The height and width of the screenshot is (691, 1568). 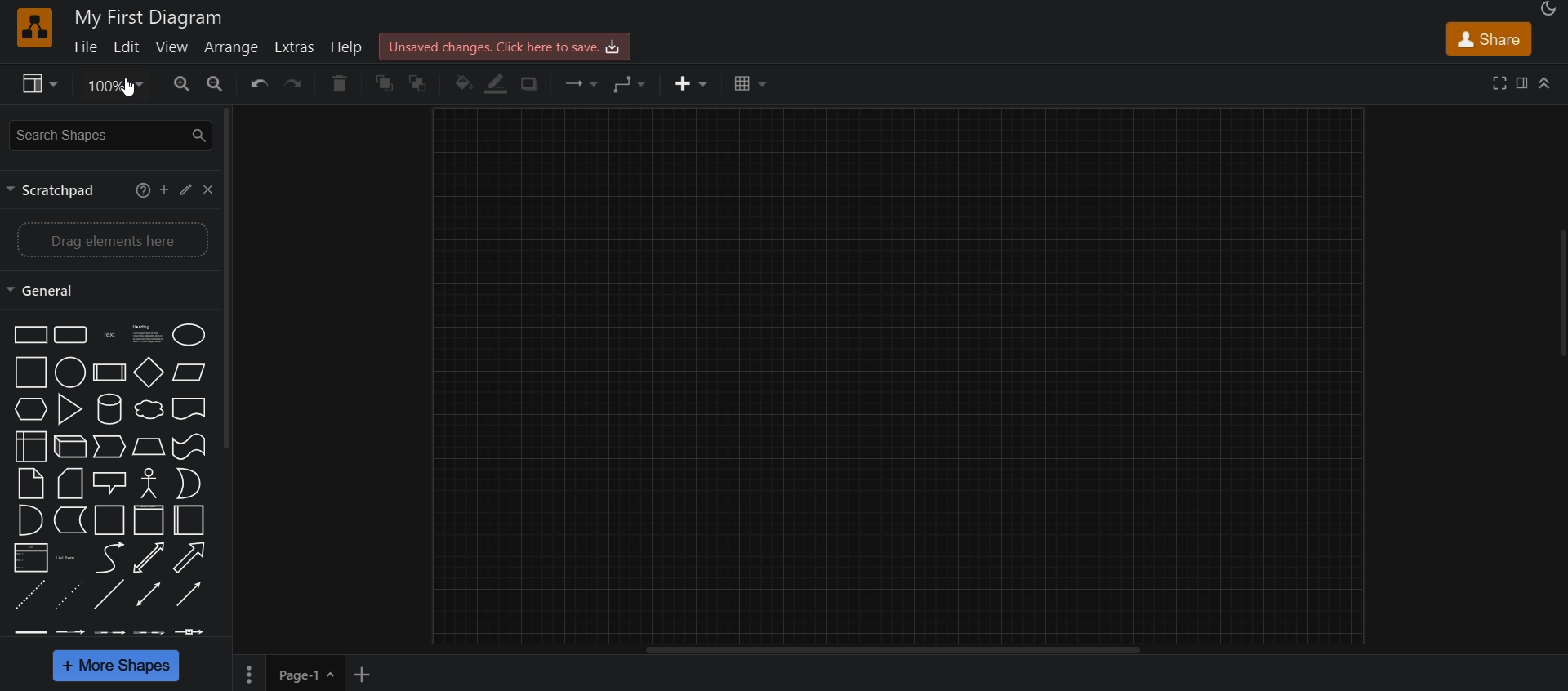 What do you see at coordinates (174, 49) in the screenshot?
I see `view` at bounding box center [174, 49].